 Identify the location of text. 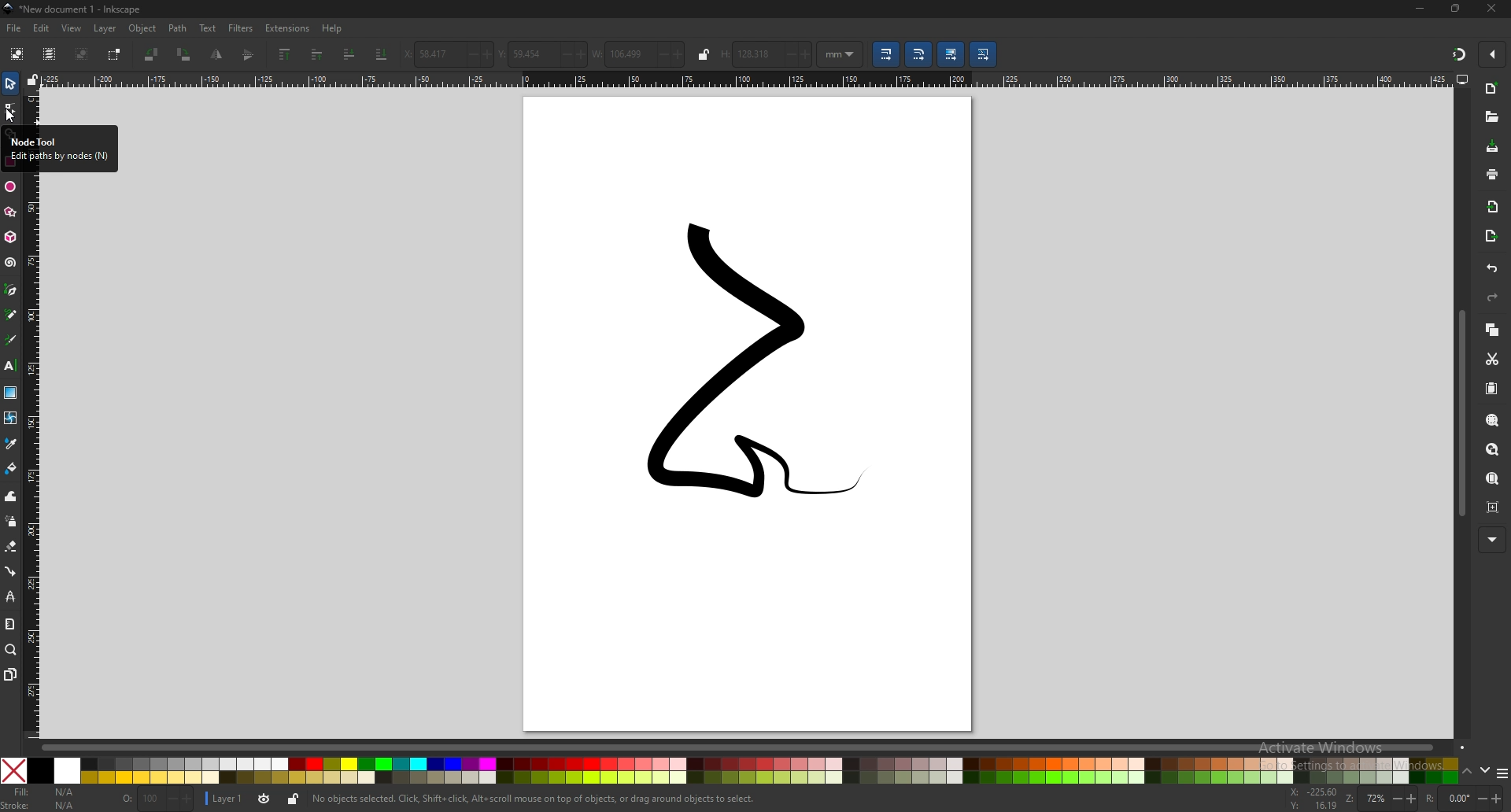
(207, 28).